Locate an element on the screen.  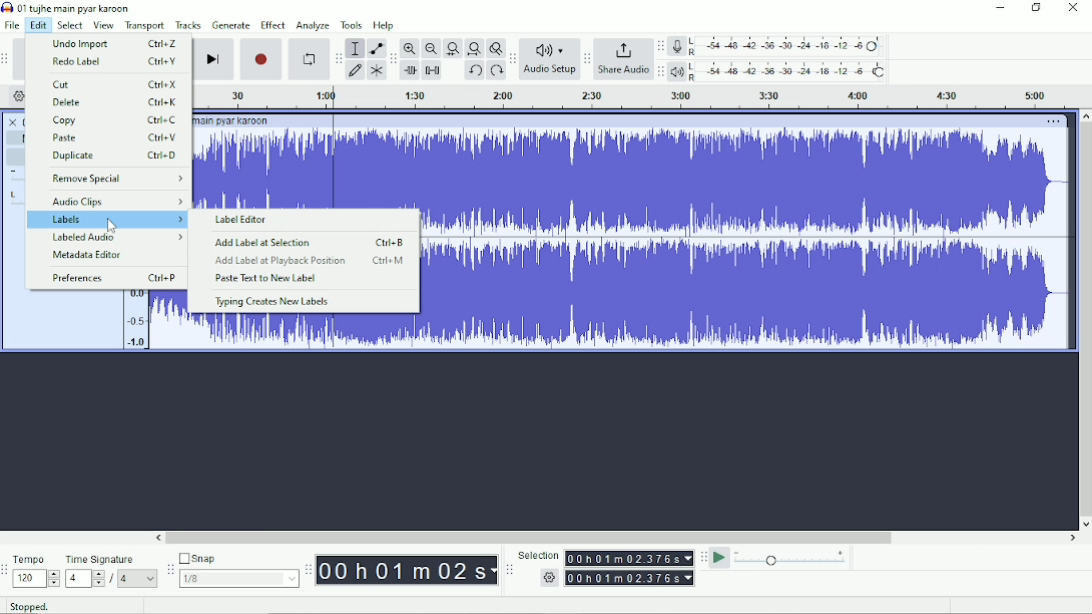
Fit selection to width is located at coordinates (452, 49).